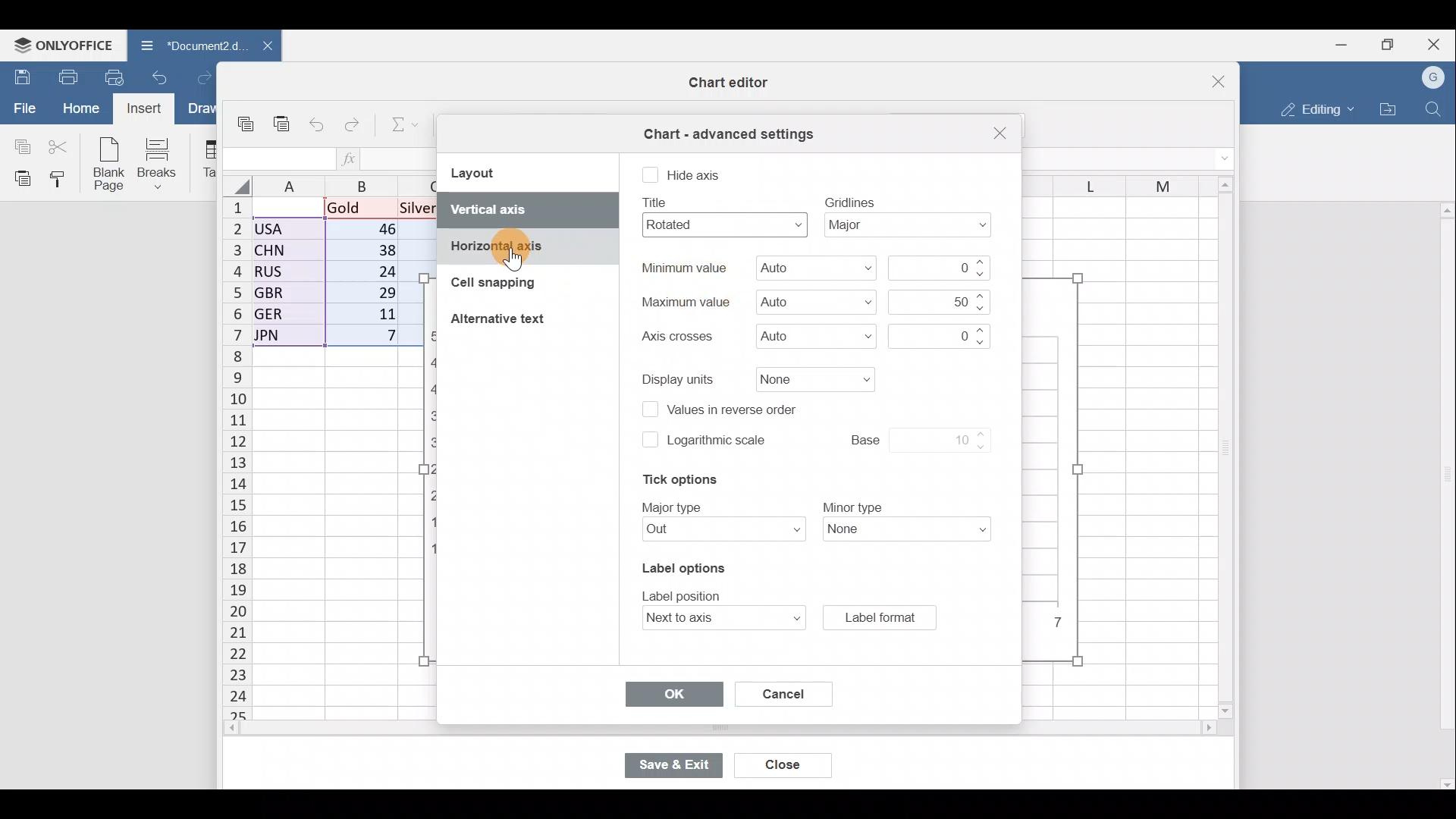  What do you see at coordinates (525, 209) in the screenshot?
I see `Vertical axis` at bounding box center [525, 209].